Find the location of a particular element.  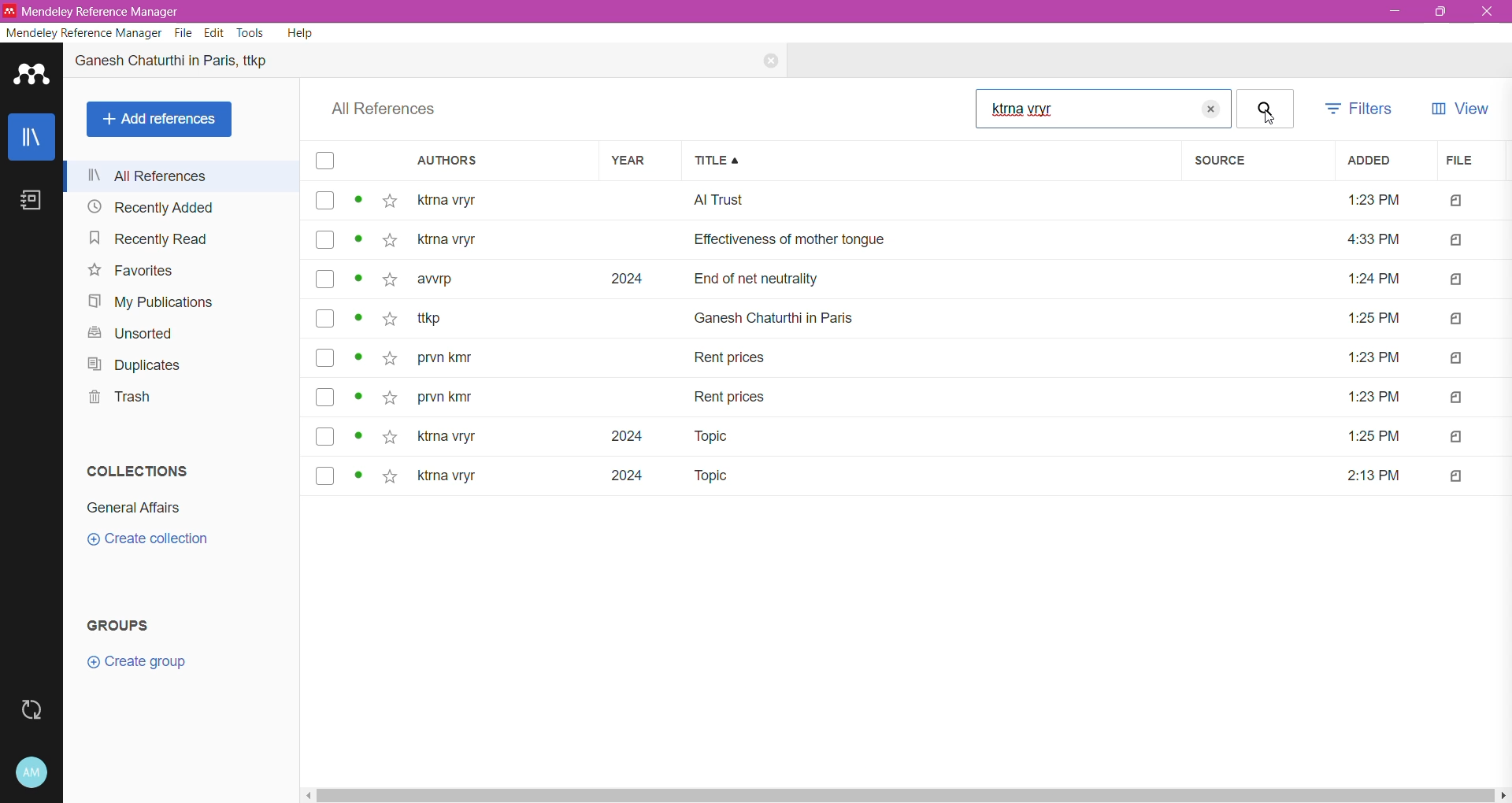

Authors is located at coordinates (506, 161).